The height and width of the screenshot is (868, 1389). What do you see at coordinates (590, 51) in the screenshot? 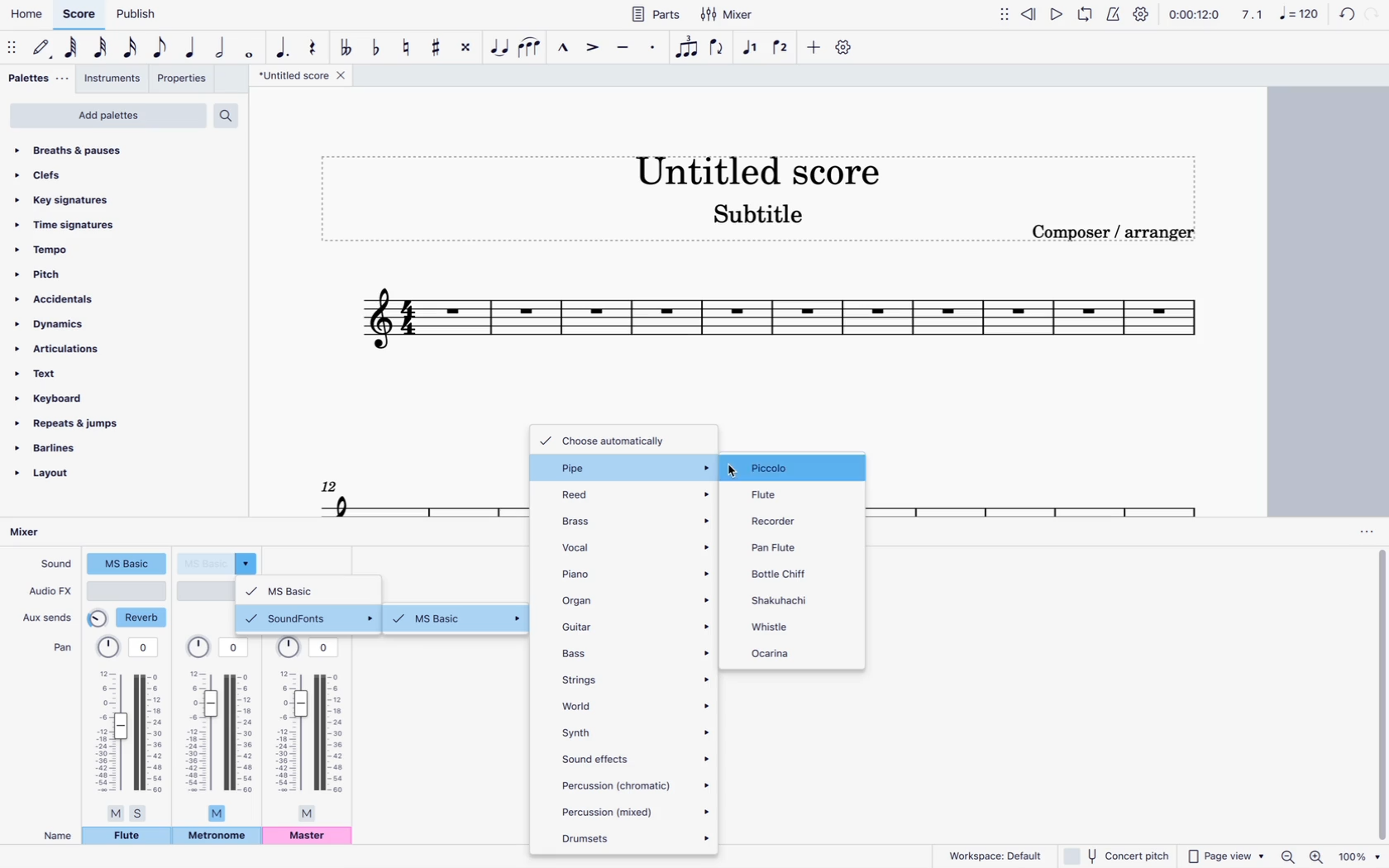
I see `accent` at bounding box center [590, 51].